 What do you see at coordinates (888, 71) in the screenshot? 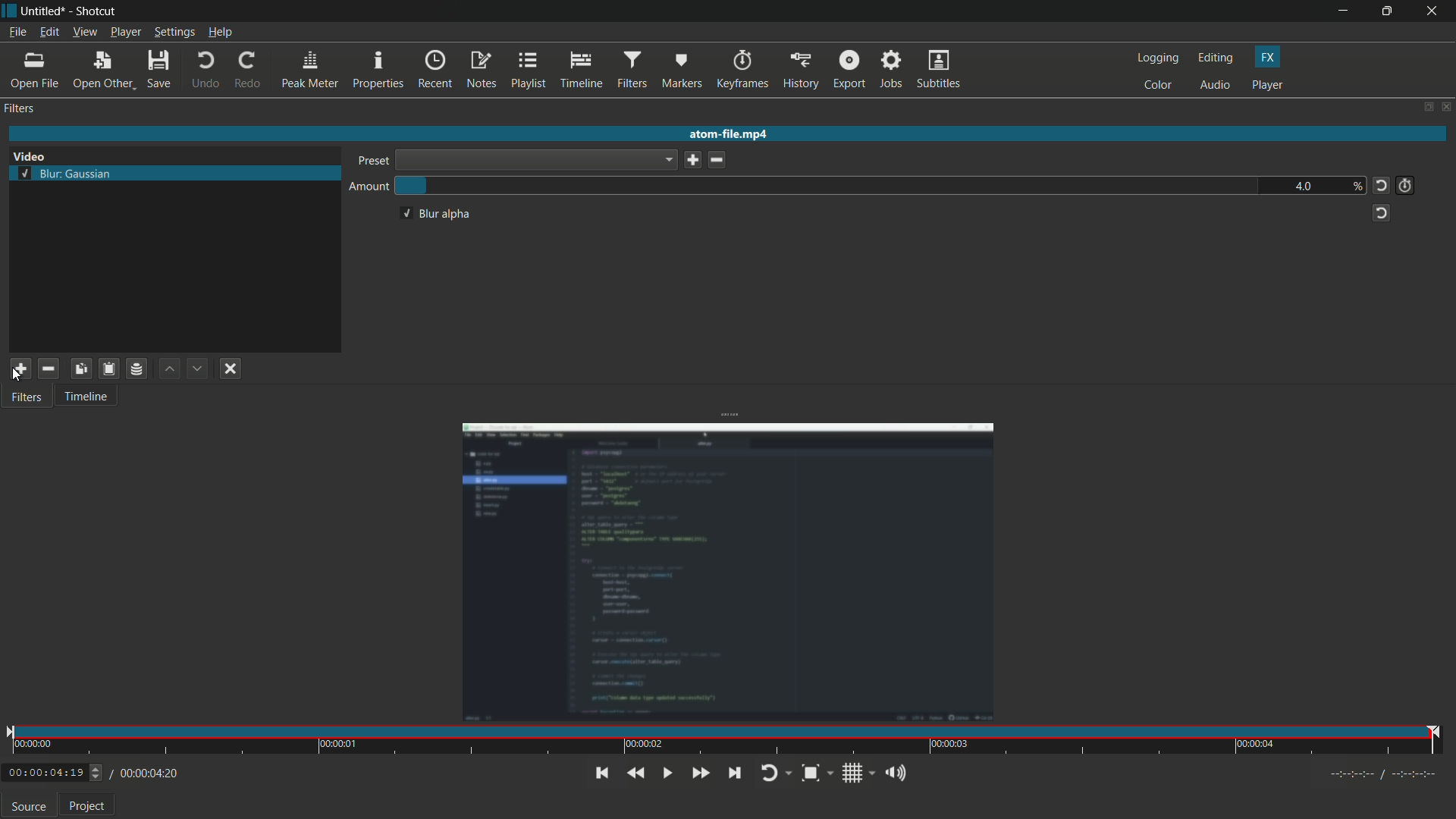
I see `jobs` at bounding box center [888, 71].